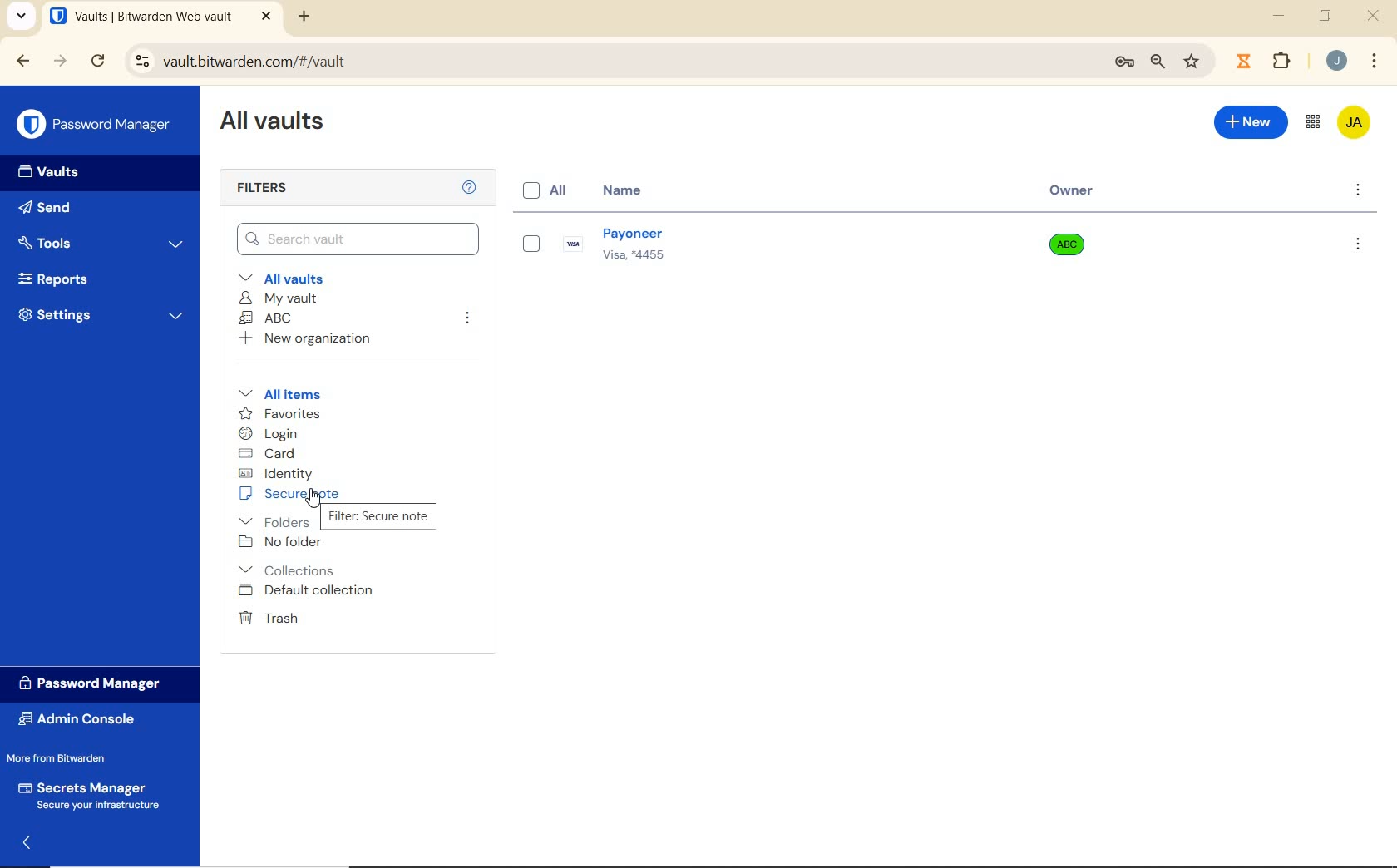 This screenshot has width=1397, height=868. Describe the element at coordinates (60, 61) in the screenshot. I see `forward` at that location.